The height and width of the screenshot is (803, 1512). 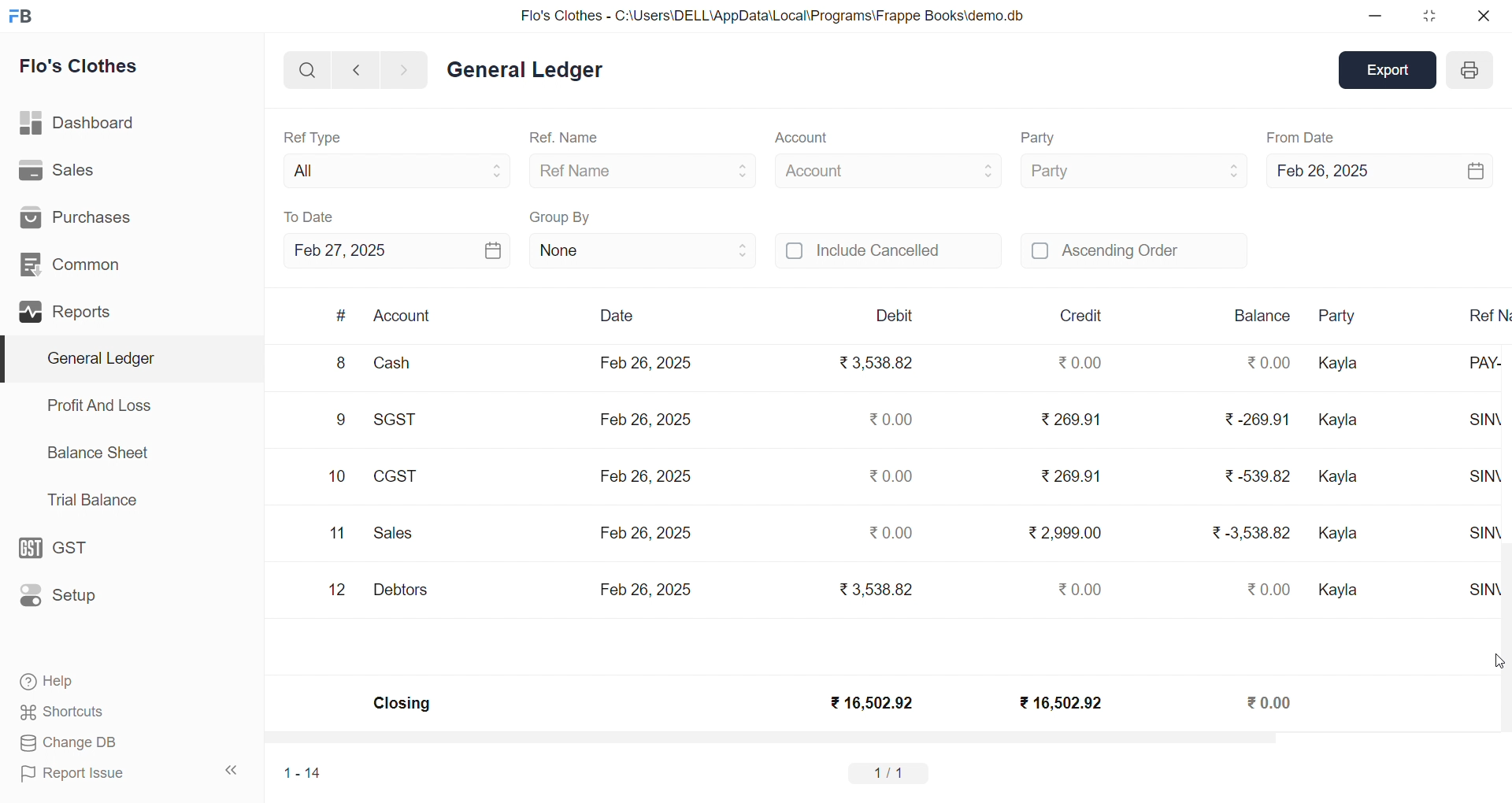 What do you see at coordinates (1083, 316) in the screenshot?
I see `Credit` at bounding box center [1083, 316].